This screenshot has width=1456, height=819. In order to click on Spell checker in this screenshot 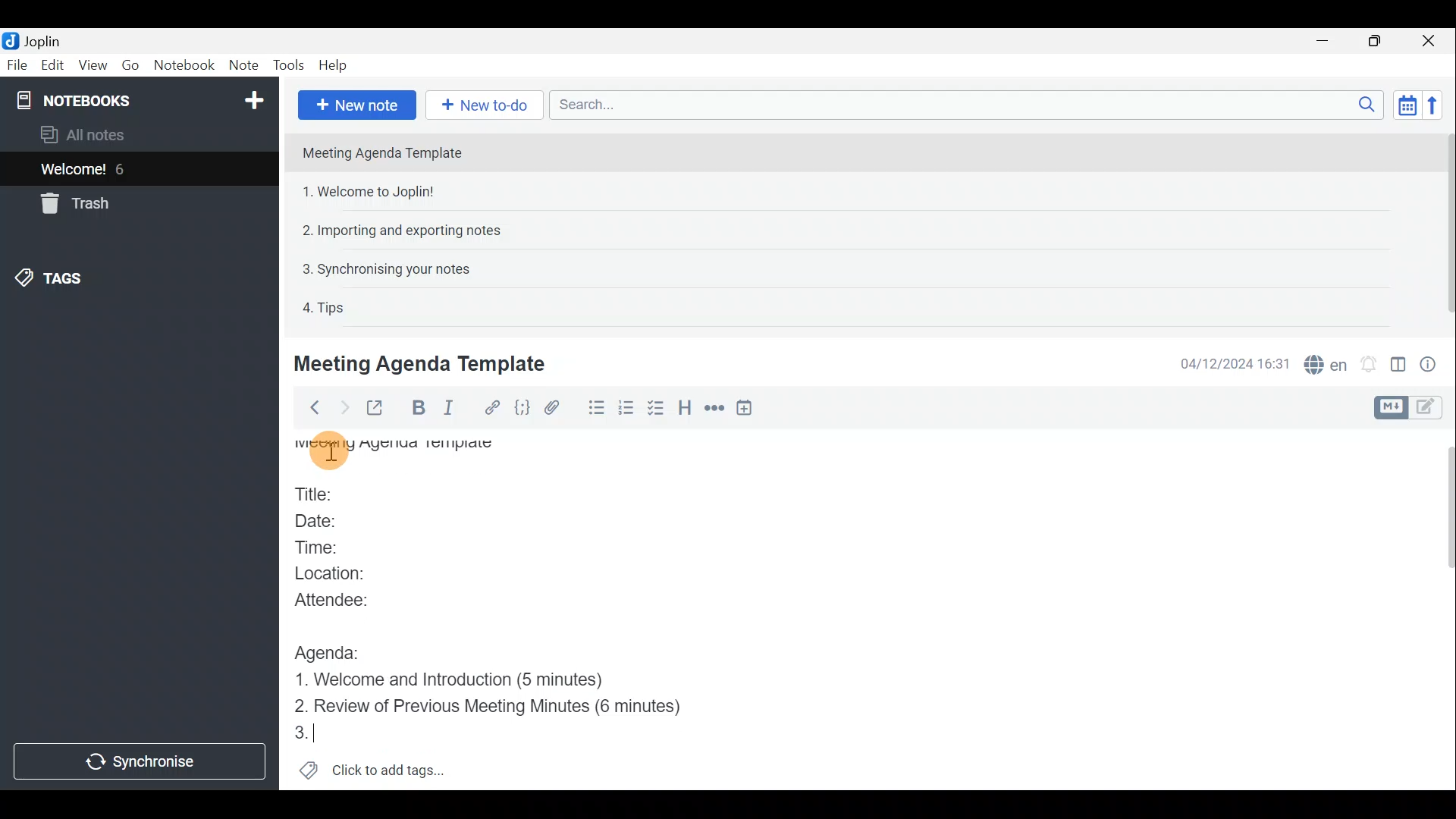, I will do `click(1327, 362)`.